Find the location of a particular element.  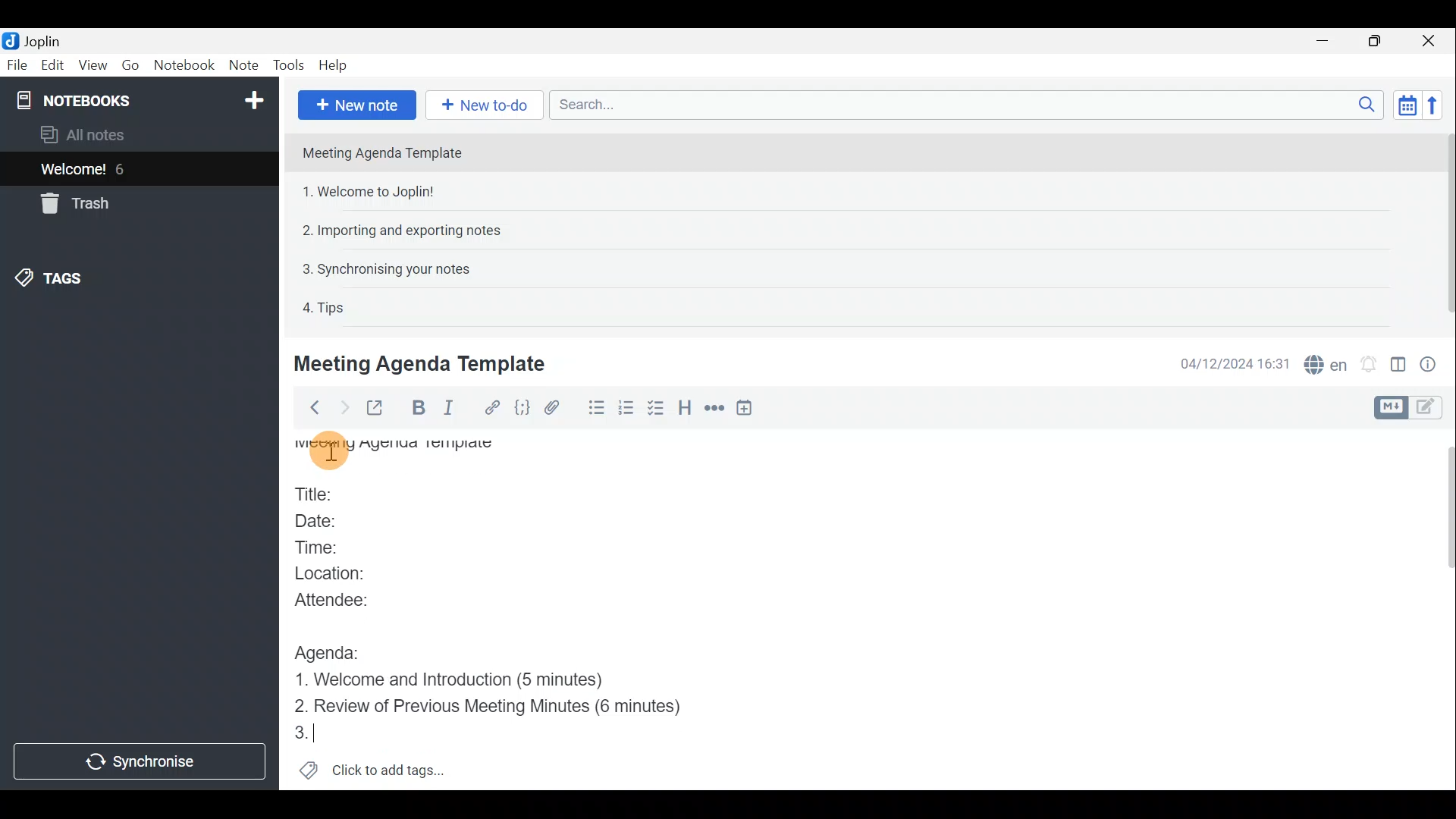

Minimise is located at coordinates (1325, 40).